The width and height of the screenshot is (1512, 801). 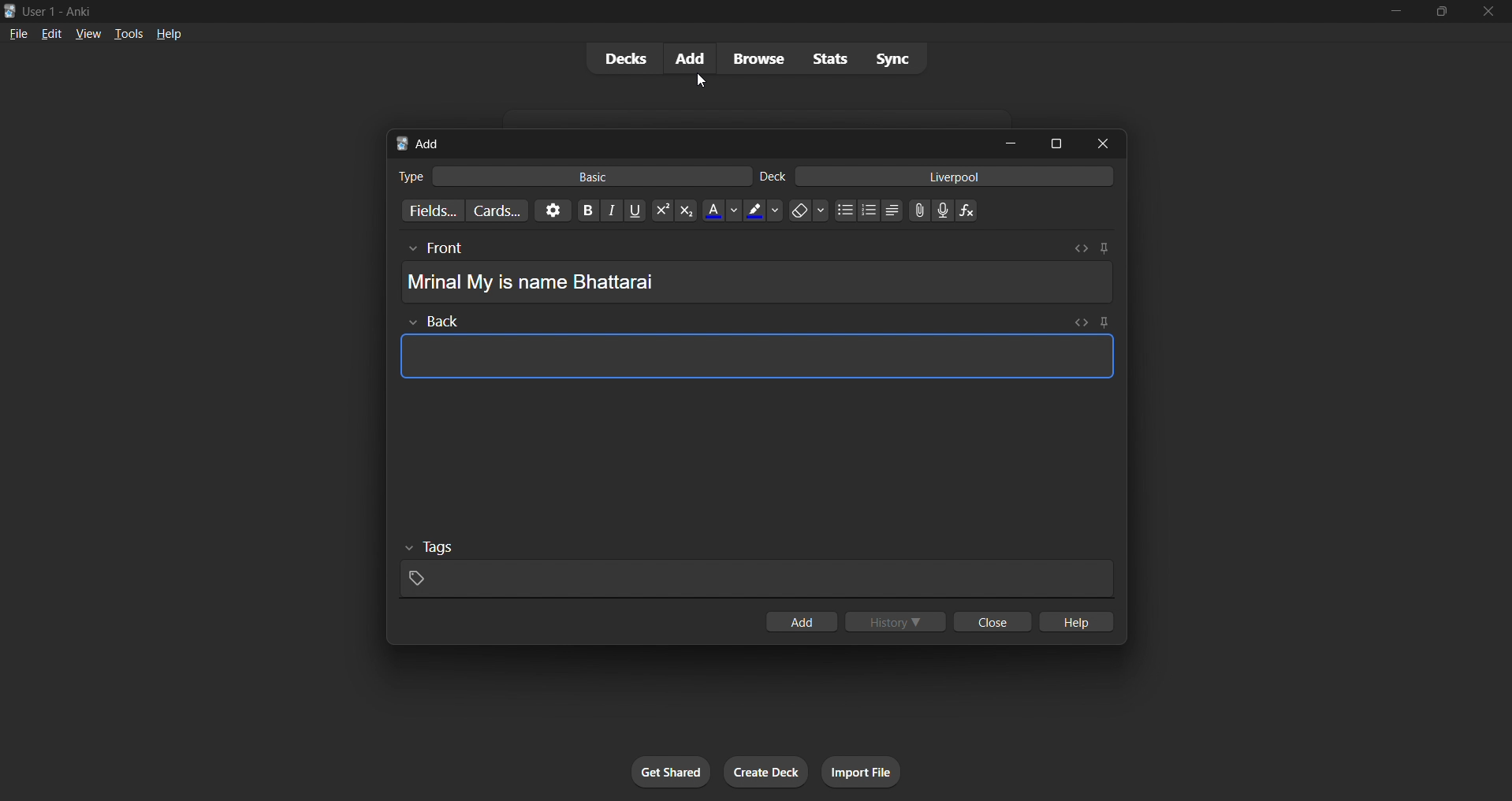 What do you see at coordinates (799, 620) in the screenshot?
I see `add` at bounding box center [799, 620].